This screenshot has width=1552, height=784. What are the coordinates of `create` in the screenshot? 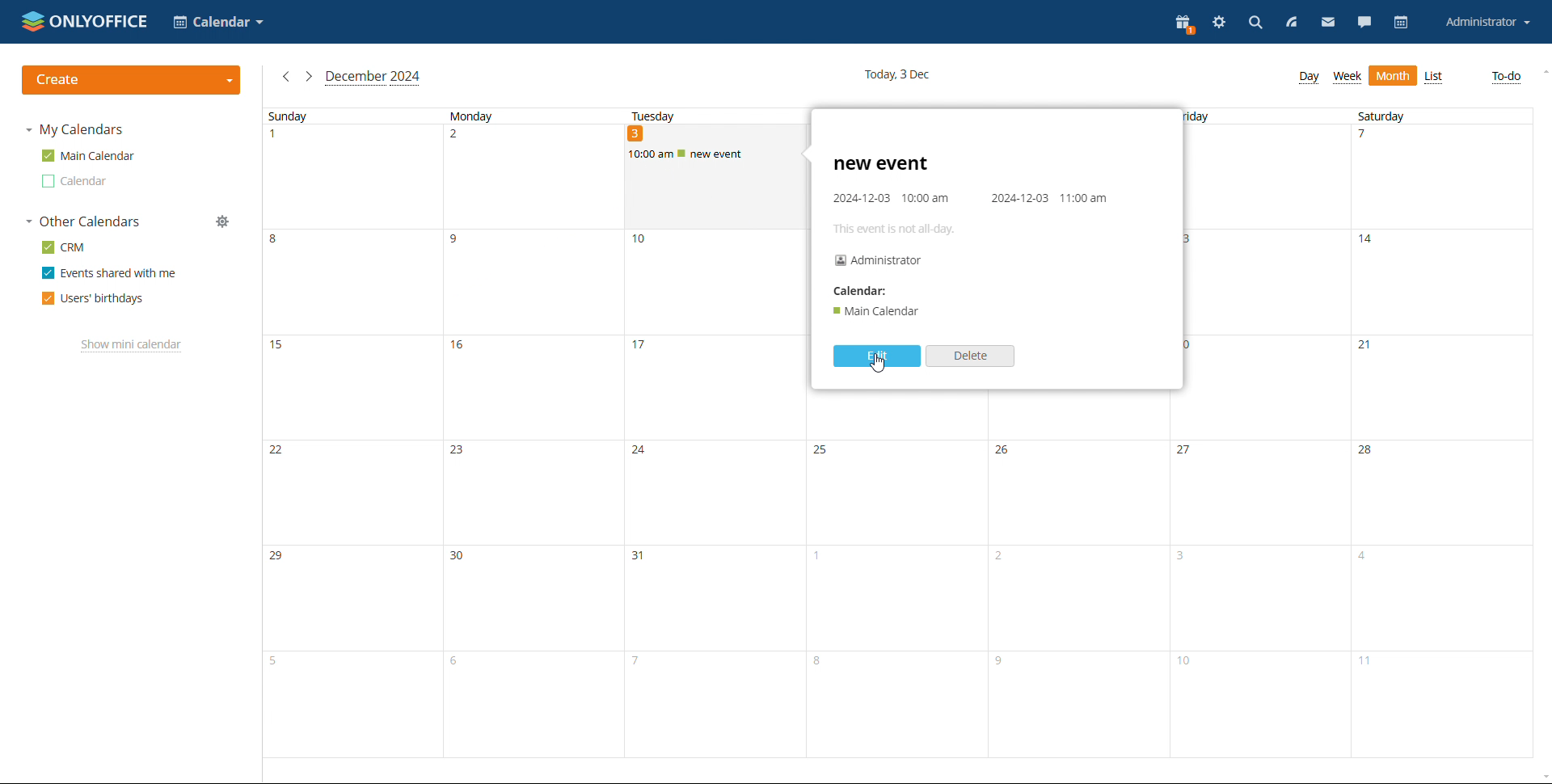 It's located at (132, 80).